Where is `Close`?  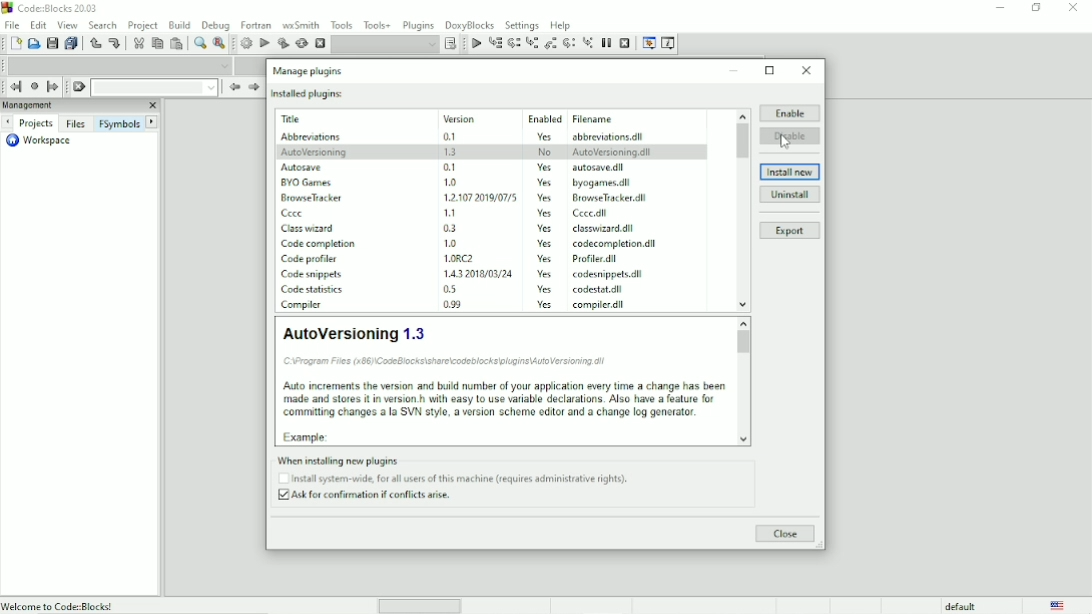
Close is located at coordinates (785, 534).